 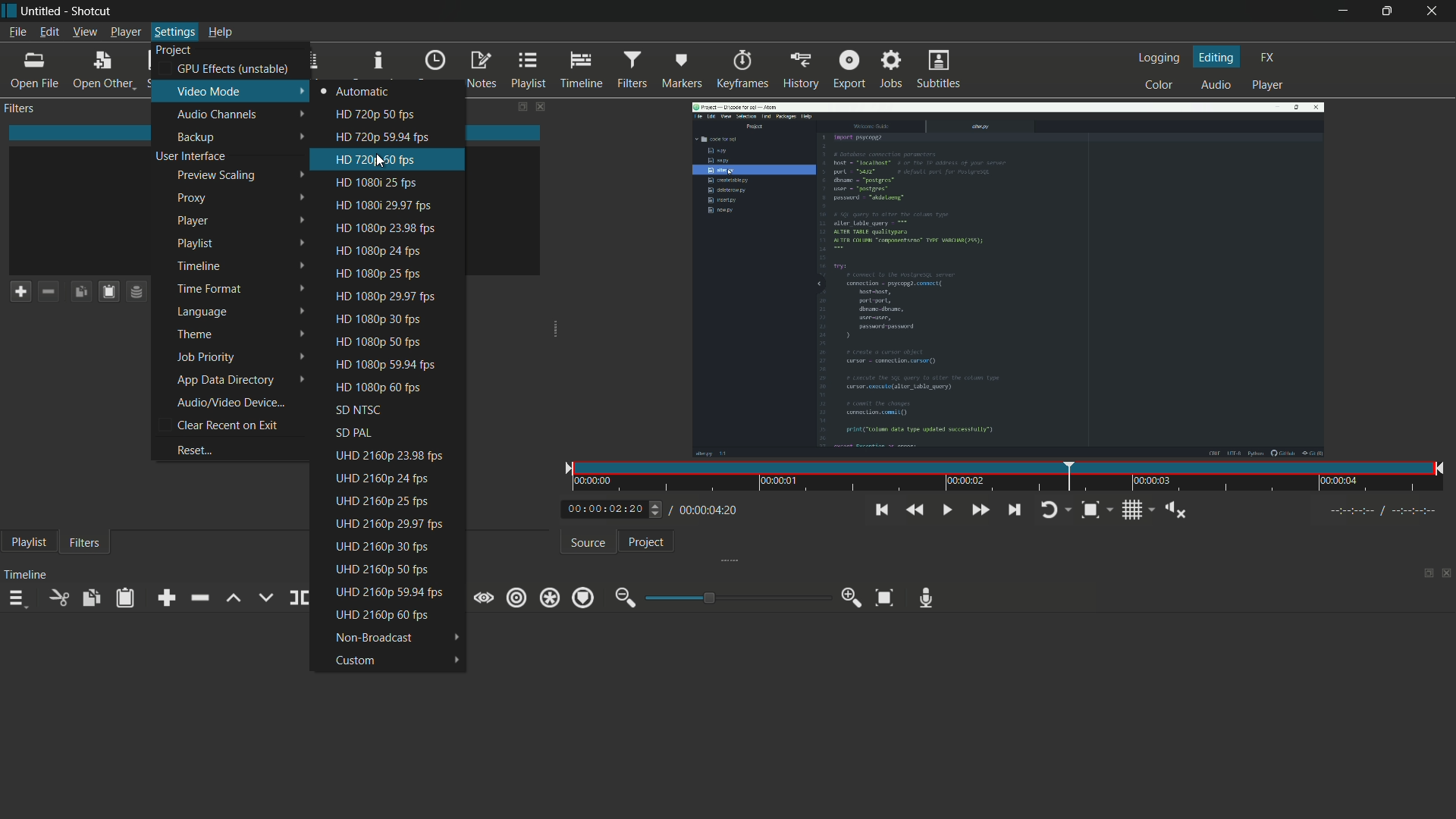 I want to click on paste filters, so click(x=108, y=290).